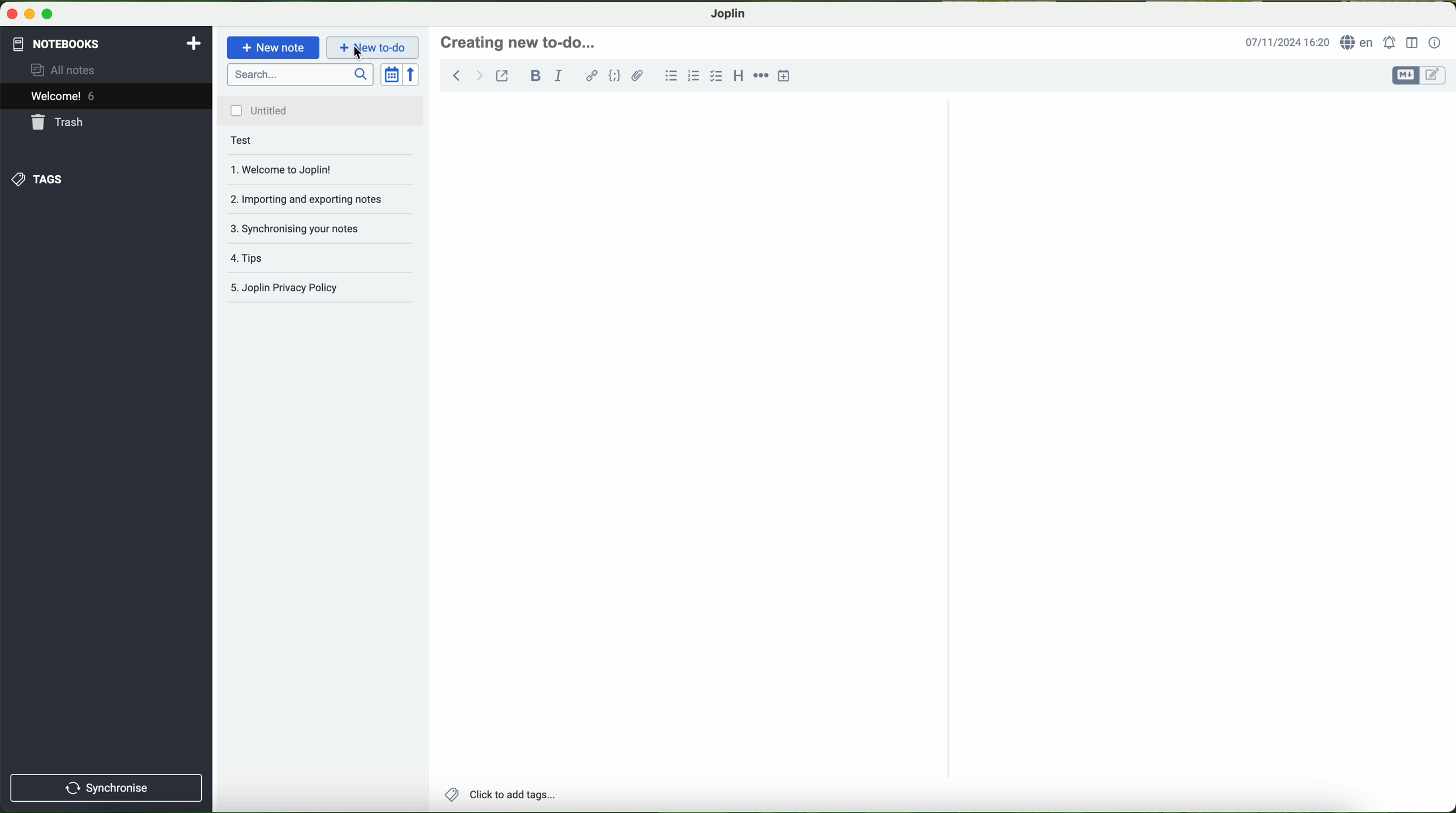  I want to click on toggle editor layout, so click(1411, 44).